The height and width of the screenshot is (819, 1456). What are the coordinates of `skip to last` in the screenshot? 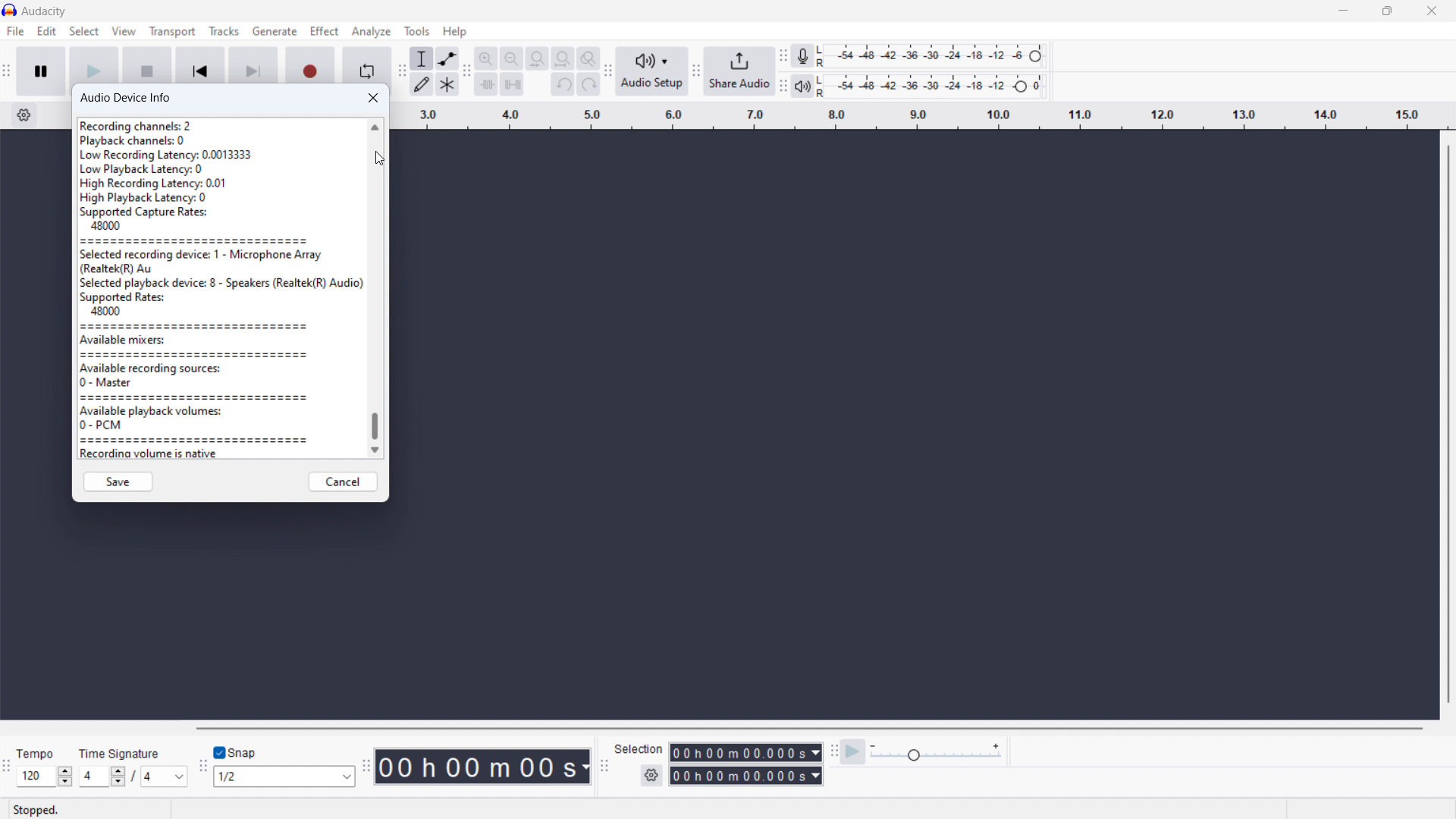 It's located at (253, 64).